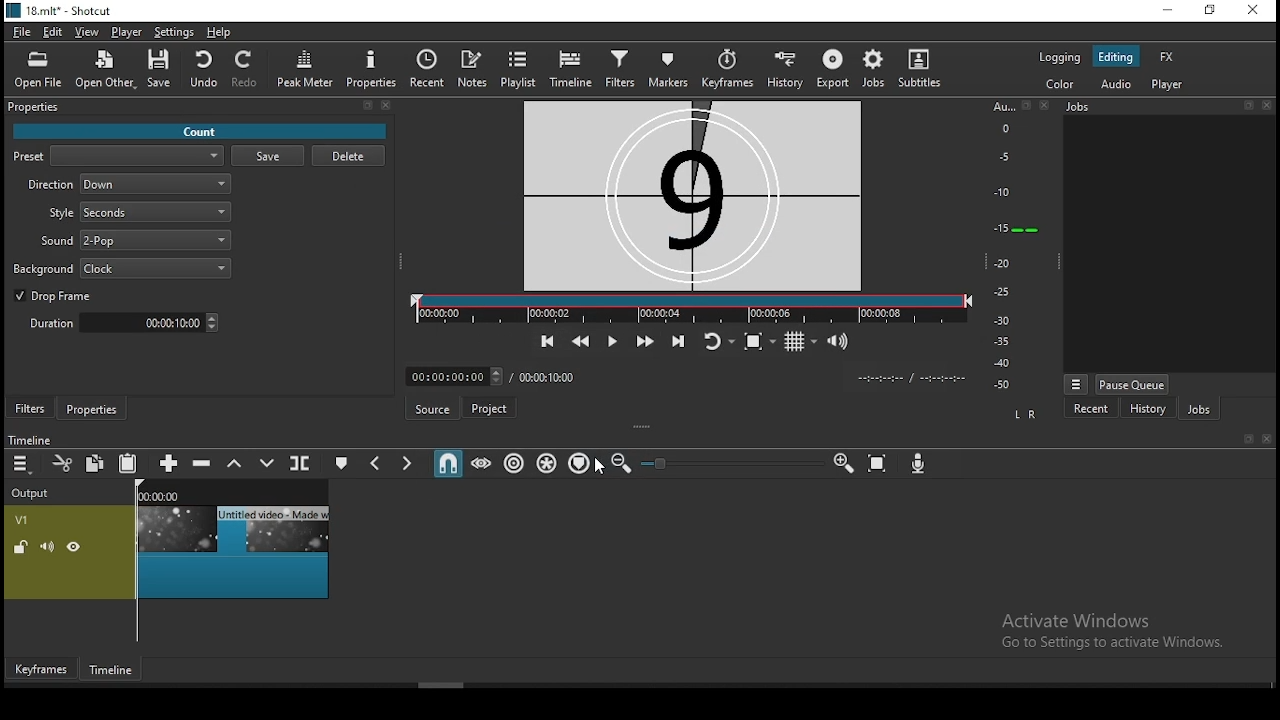 This screenshot has width=1280, height=720. Describe the element at coordinates (203, 69) in the screenshot. I see `undo` at that location.